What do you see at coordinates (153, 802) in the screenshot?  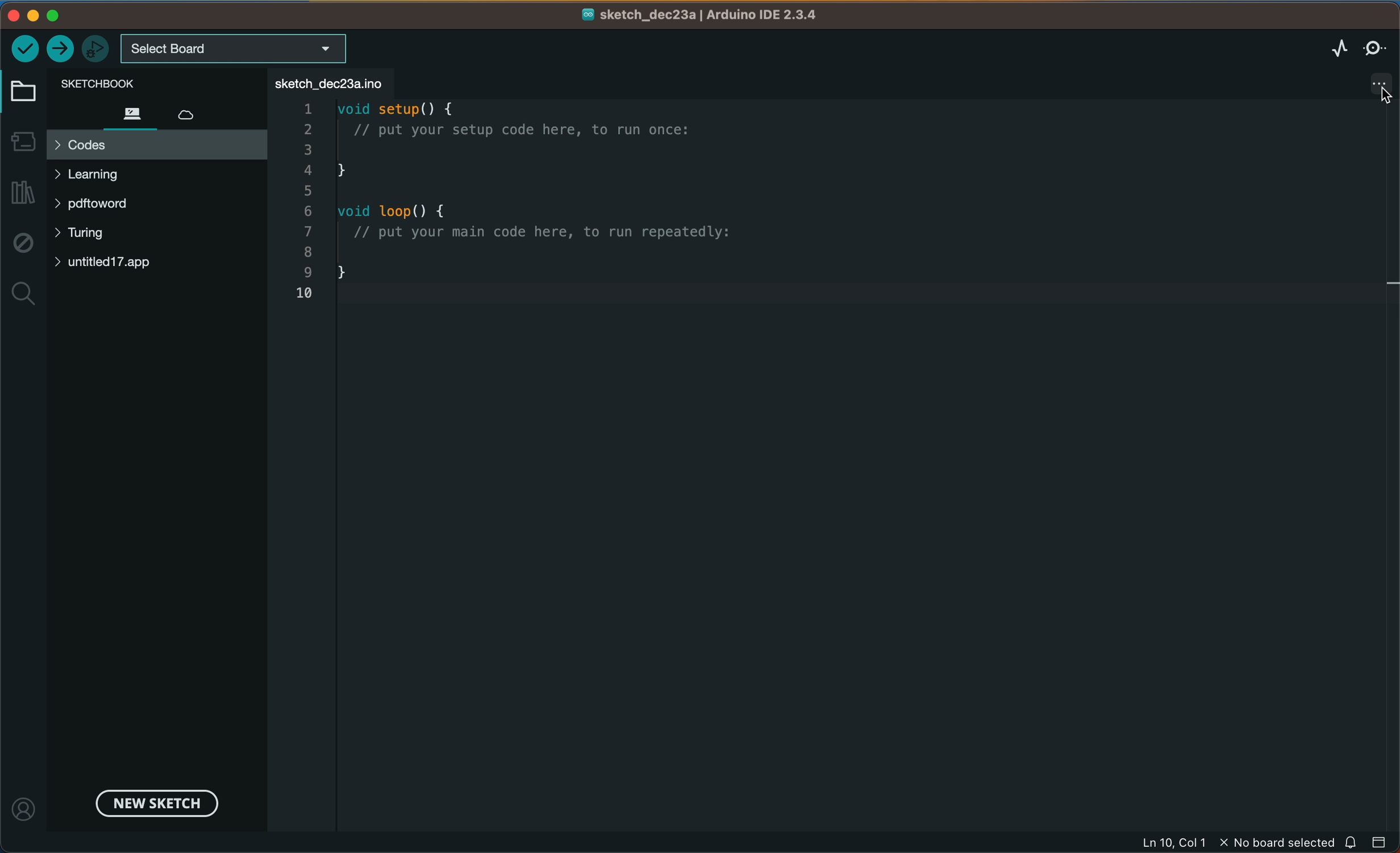 I see `new sketch` at bounding box center [153, 802].